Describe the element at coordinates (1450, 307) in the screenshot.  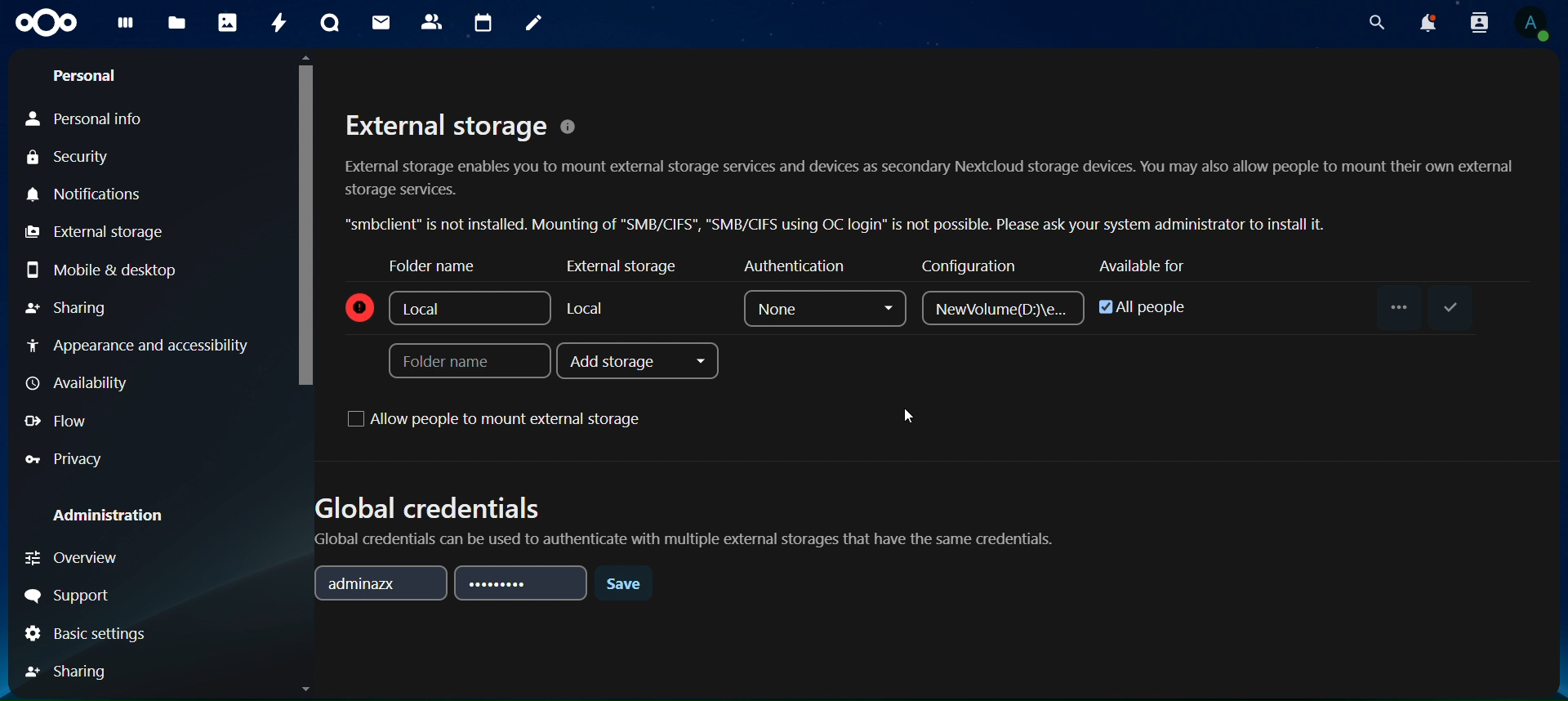
I see `save` at that location.